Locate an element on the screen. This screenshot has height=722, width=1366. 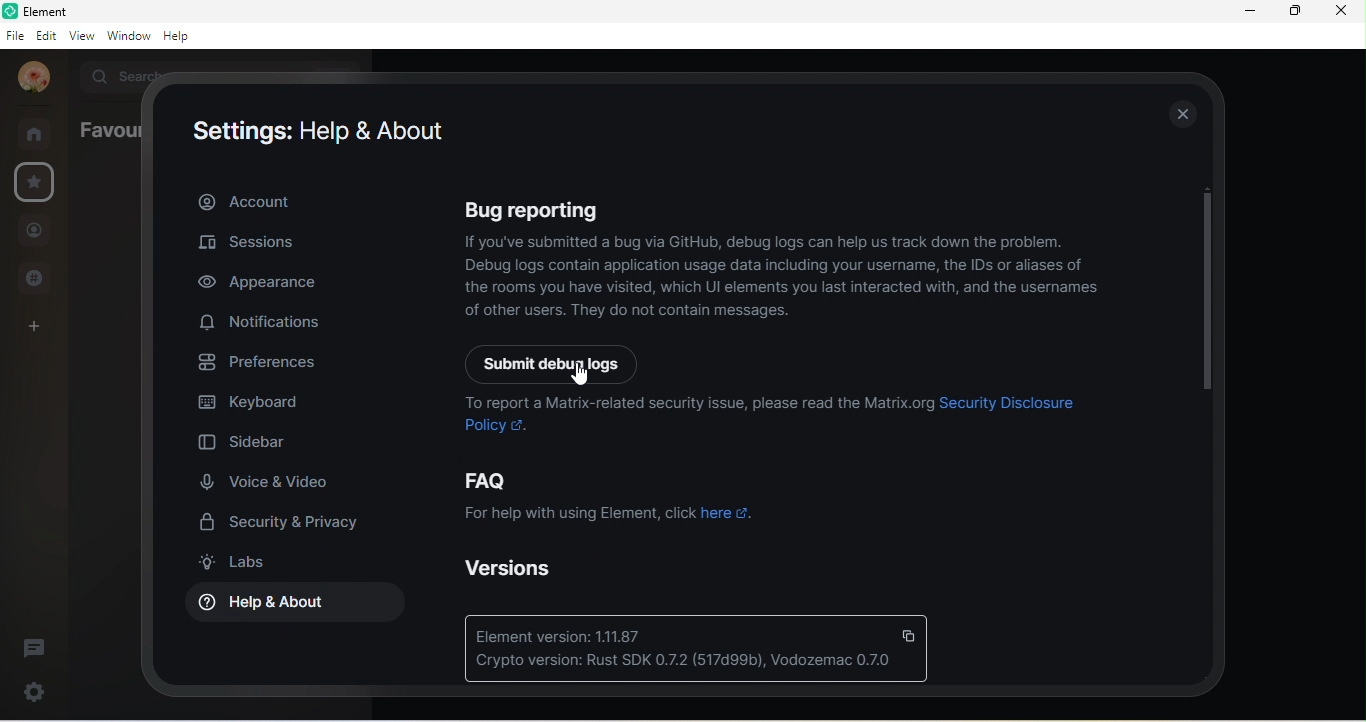
sidebar is located at coordinates (240, 443).